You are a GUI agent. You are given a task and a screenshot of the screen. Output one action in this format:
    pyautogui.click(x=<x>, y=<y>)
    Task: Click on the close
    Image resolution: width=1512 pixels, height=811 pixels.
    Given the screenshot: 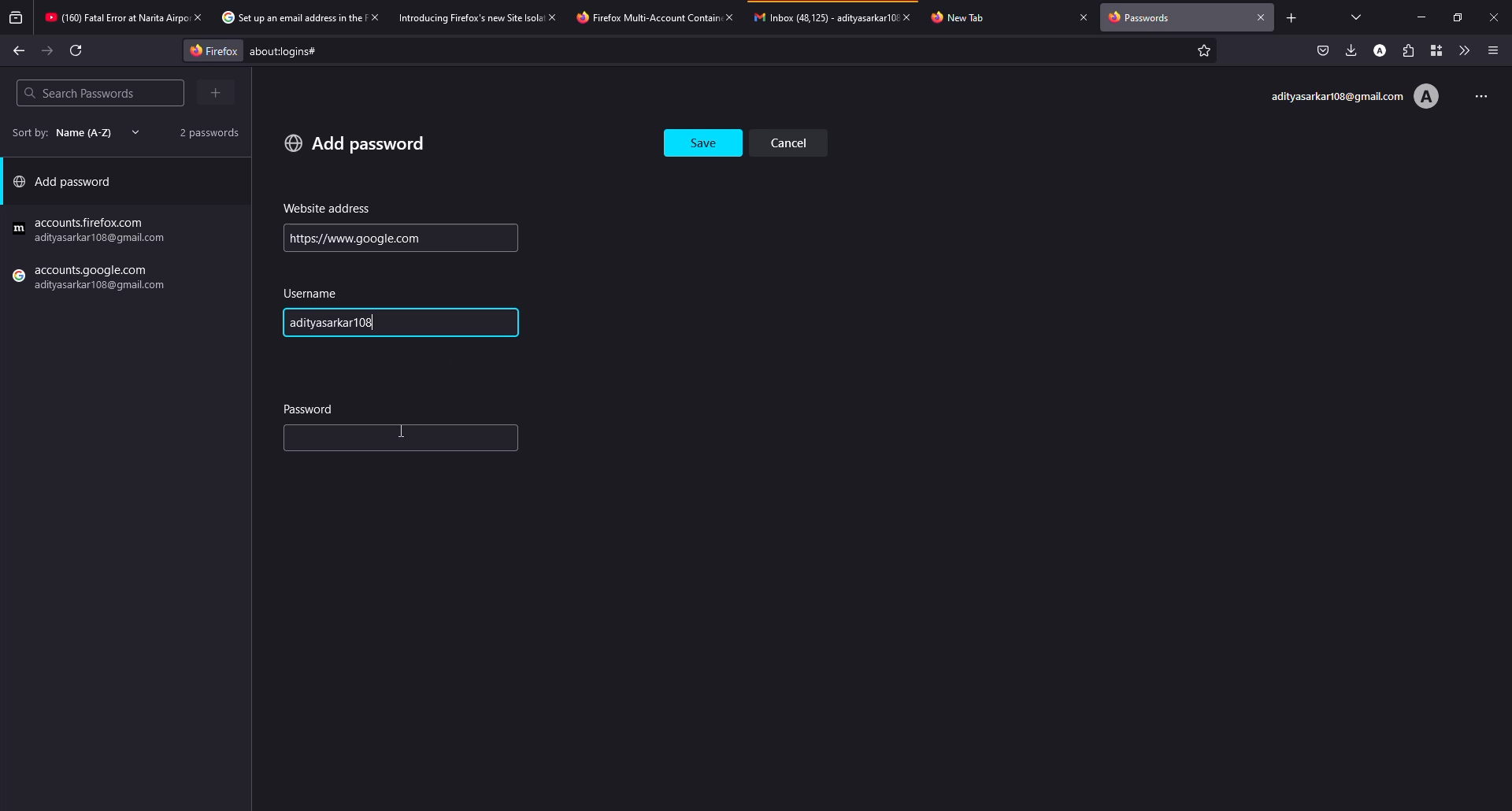 What is the action you would take?
    pyautogui.click(x=912, y=17)
    